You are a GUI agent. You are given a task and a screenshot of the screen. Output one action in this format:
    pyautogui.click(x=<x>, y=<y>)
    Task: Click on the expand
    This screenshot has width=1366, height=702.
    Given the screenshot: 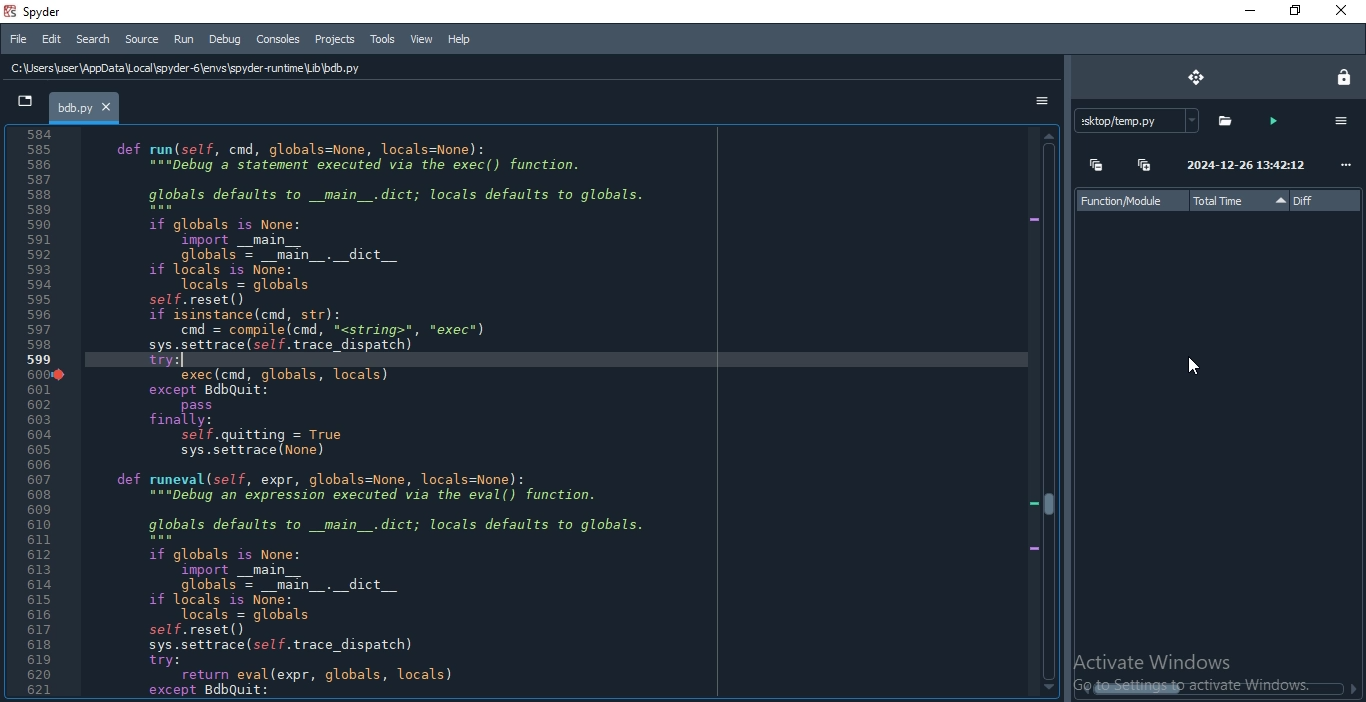 What is the action you would take?
    pyautogui.click(x=1145, y=165)
    